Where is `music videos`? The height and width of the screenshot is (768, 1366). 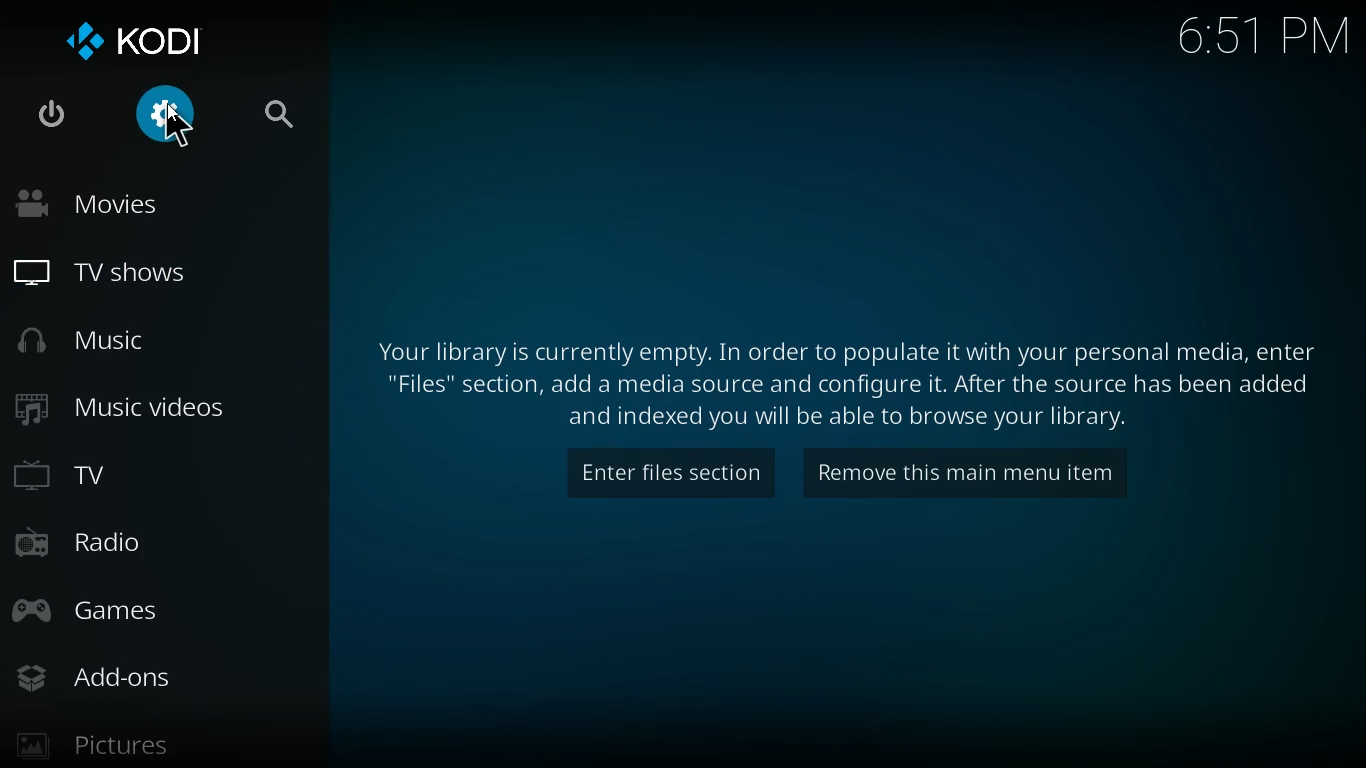 music videos is located at coordinates (151, 409).